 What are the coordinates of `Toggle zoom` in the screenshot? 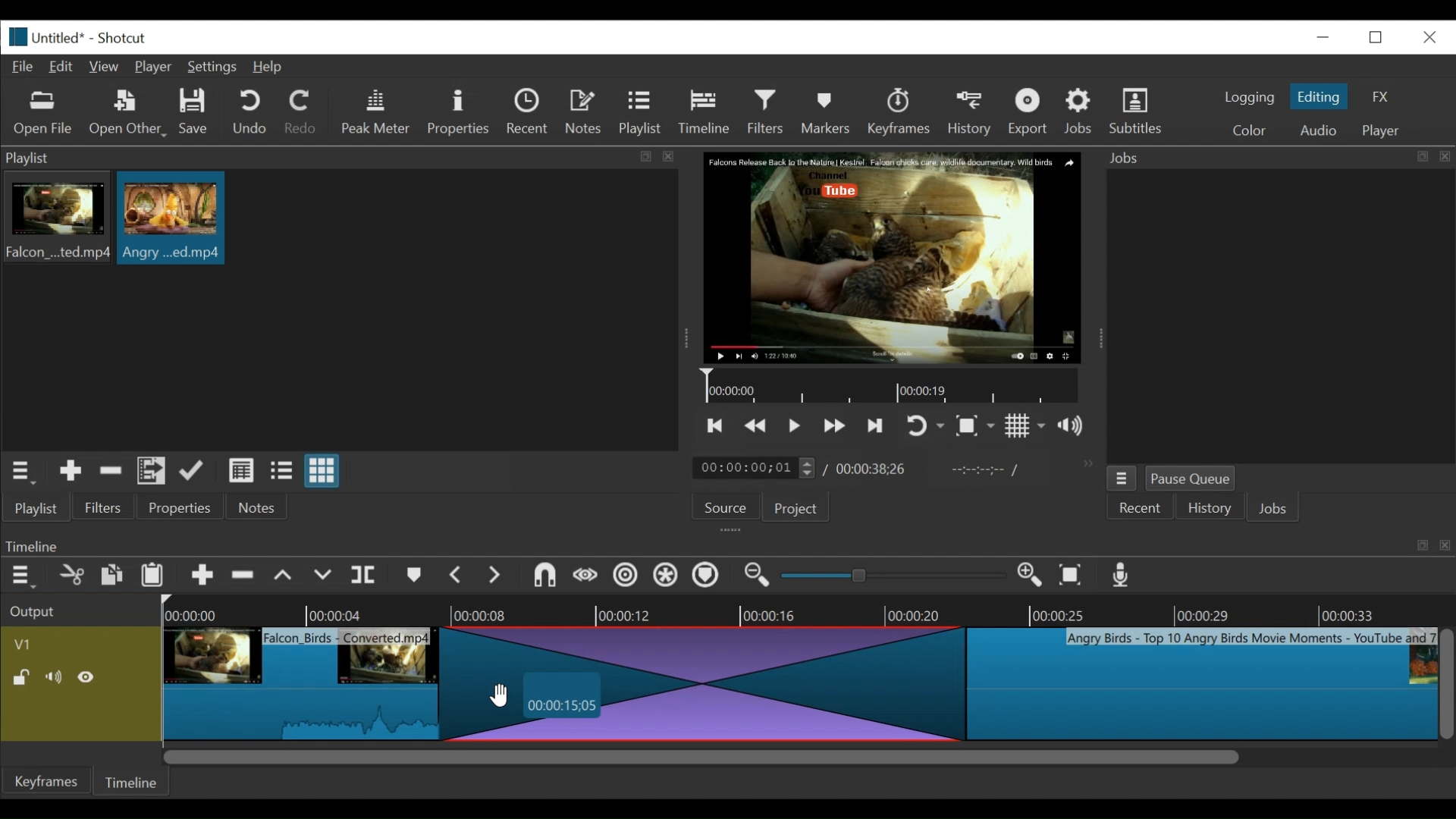 It's located at (974, 427).